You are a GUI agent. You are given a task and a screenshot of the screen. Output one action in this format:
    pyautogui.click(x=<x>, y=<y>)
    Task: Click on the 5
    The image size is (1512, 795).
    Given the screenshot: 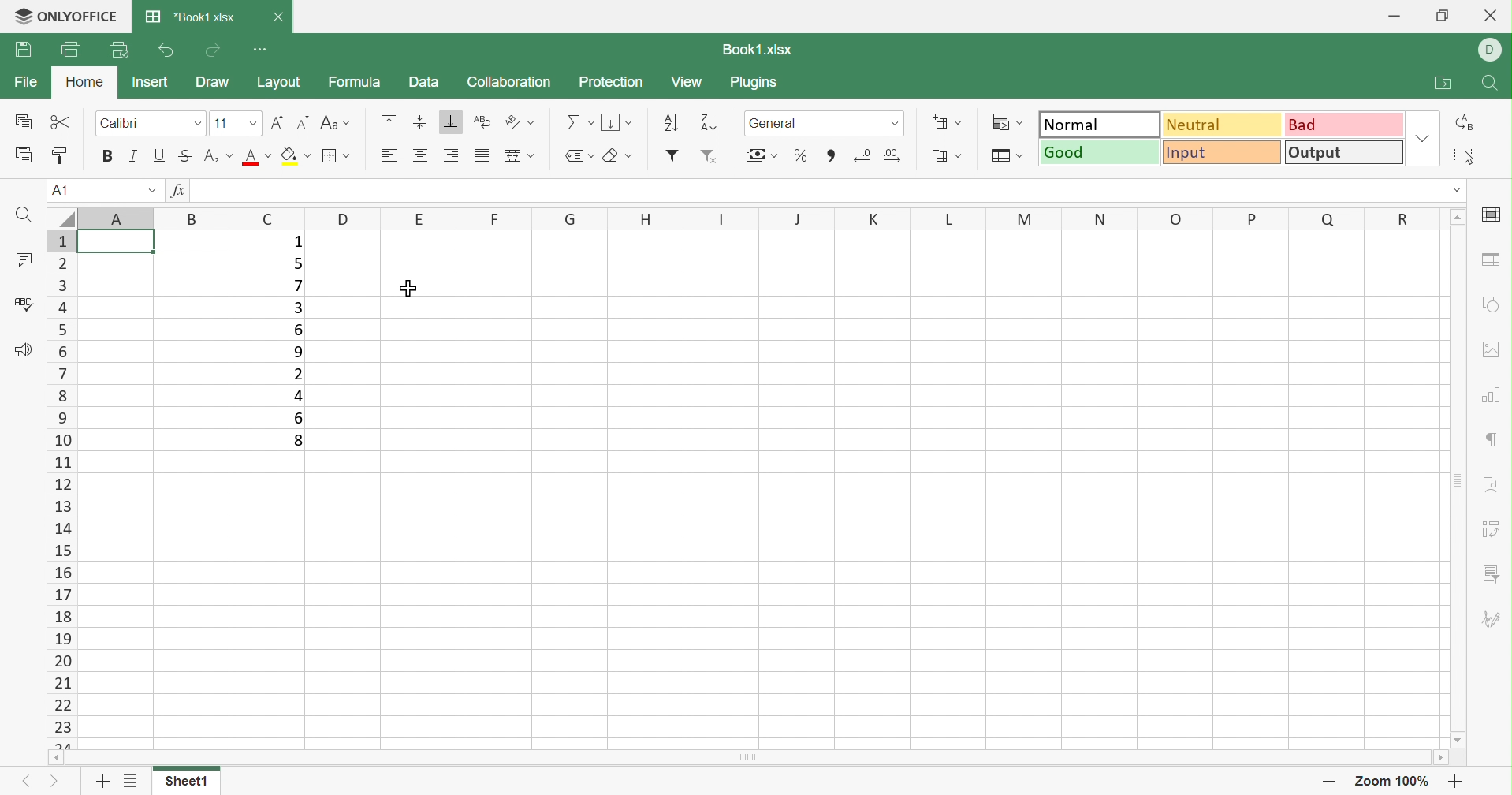 What is the action you would take?
    pyautogui.click(x=298, y=263)
    